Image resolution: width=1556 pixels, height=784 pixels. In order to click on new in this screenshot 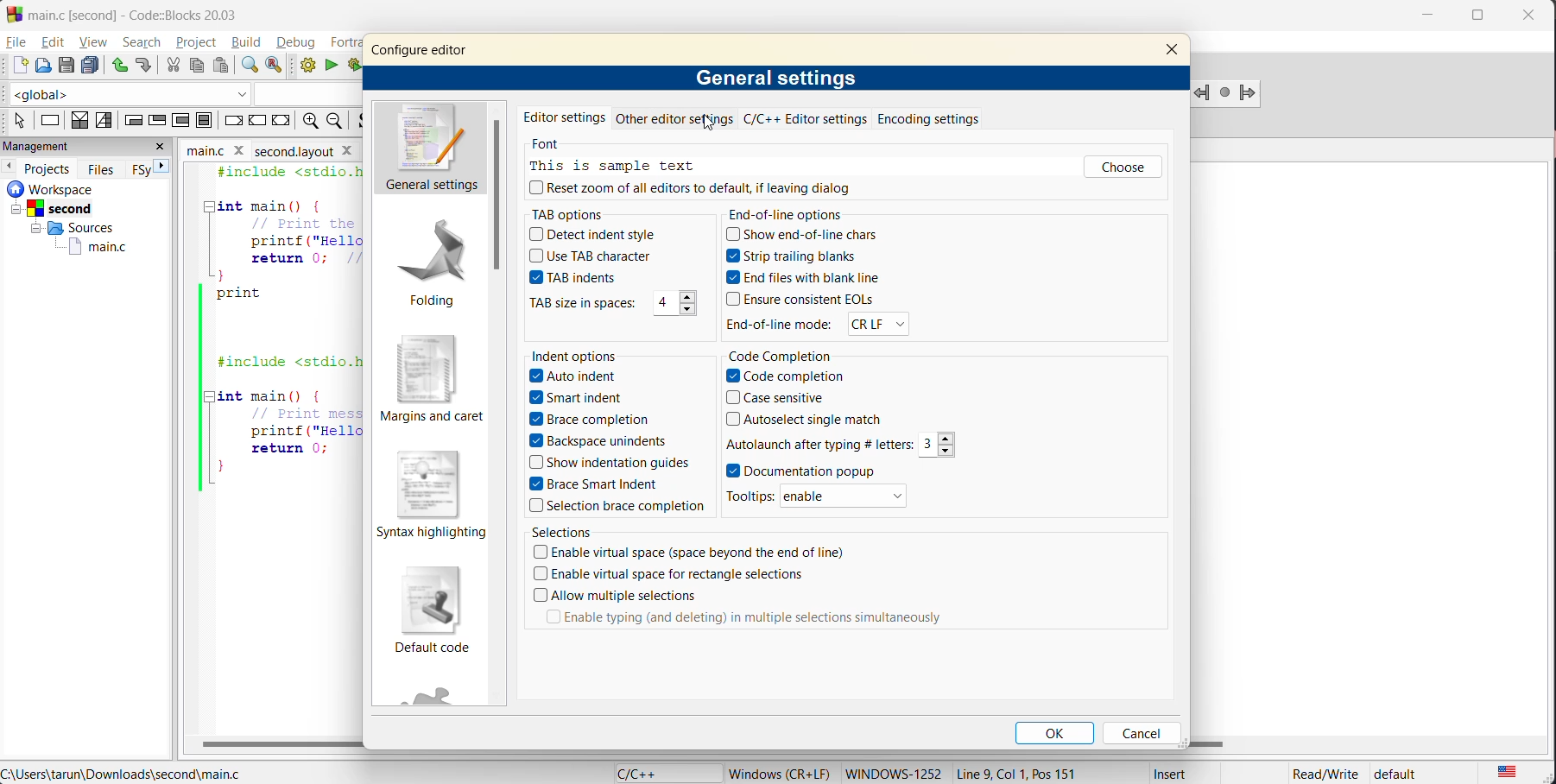, I will do `click(16, 66)`.